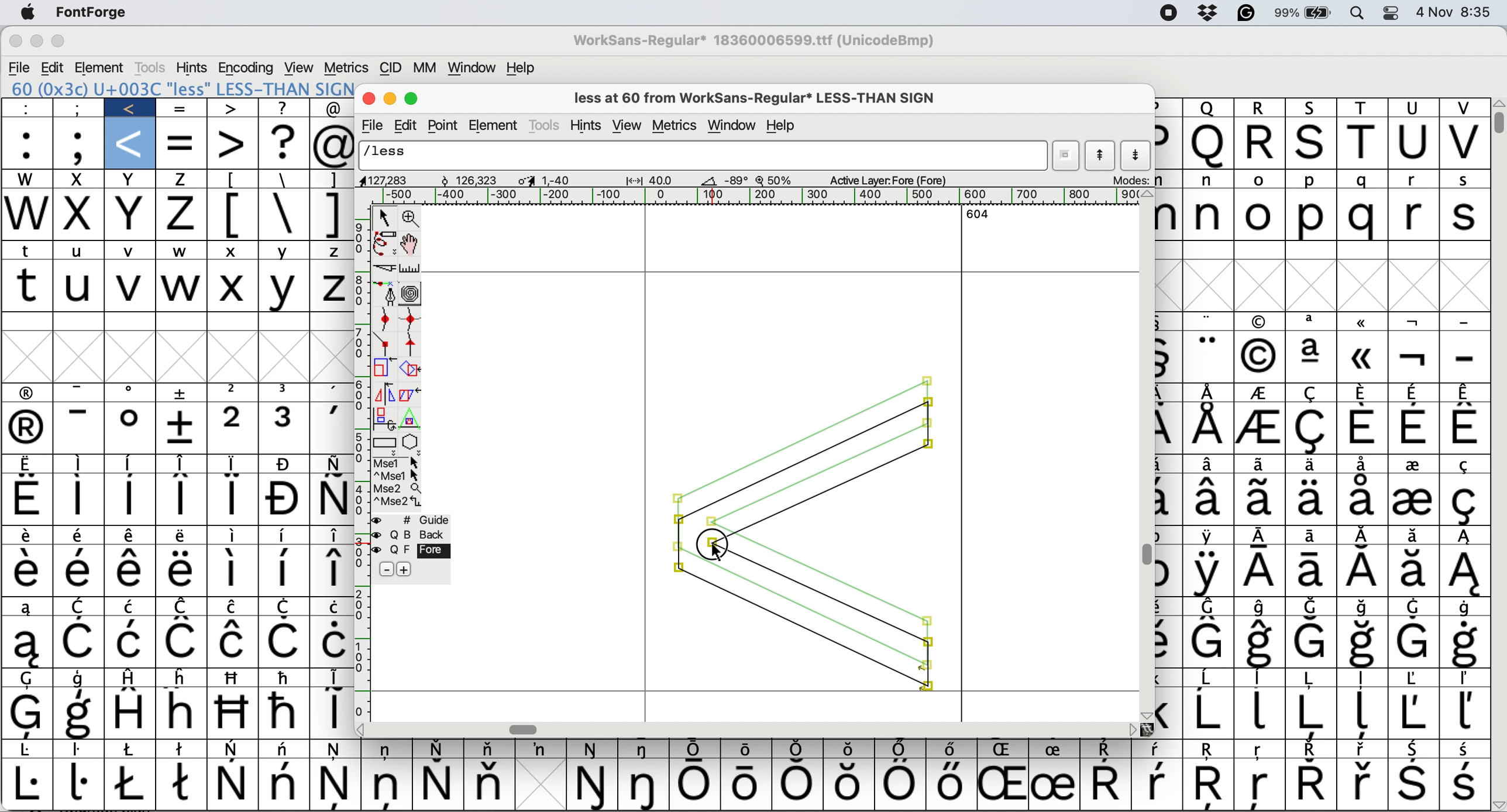 This screenshot has width=1507, height=812. I want to click on Symbol, so click(80, 713).